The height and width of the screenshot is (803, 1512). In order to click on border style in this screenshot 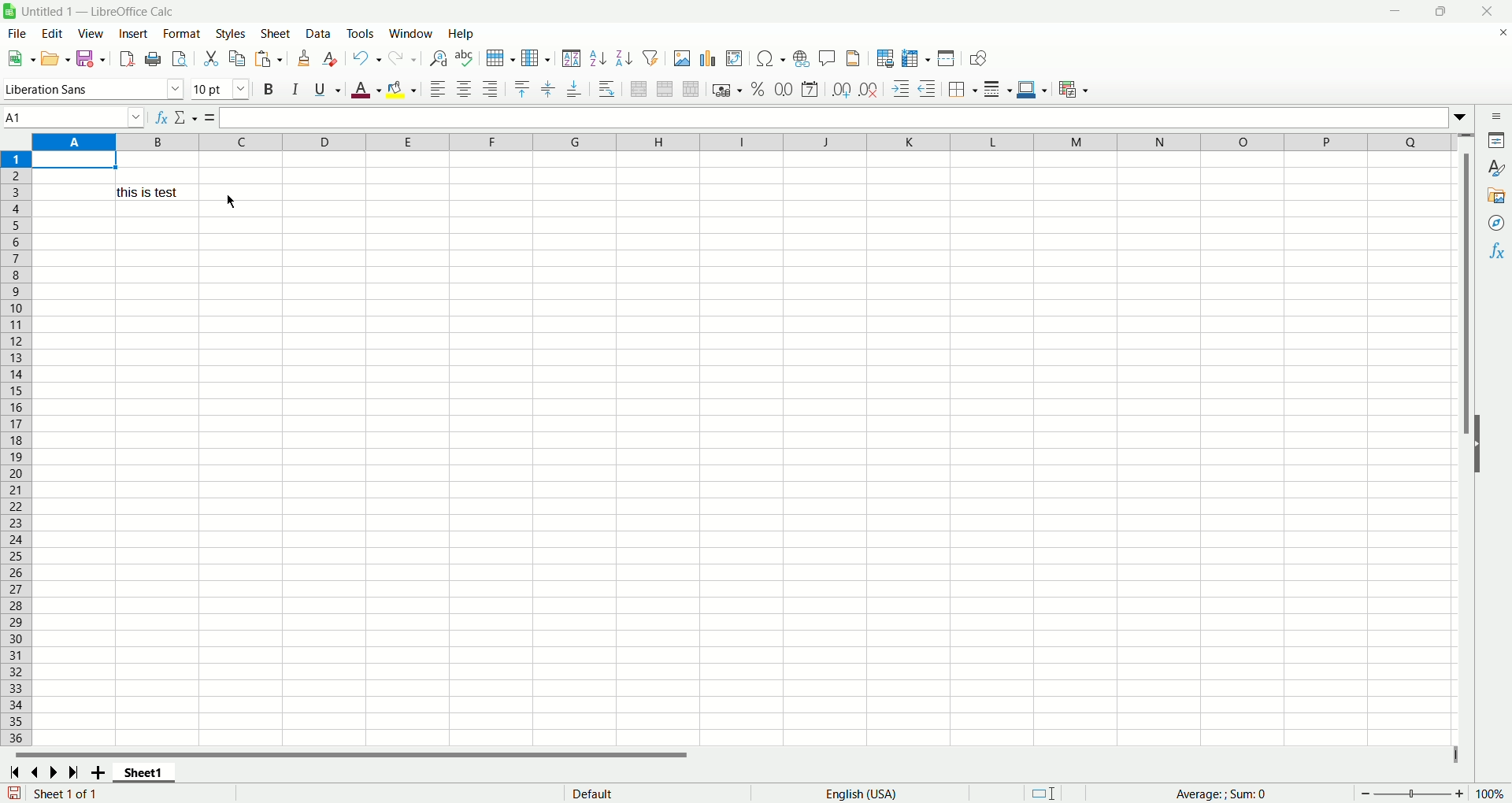, I will do `click(999, 87)`.